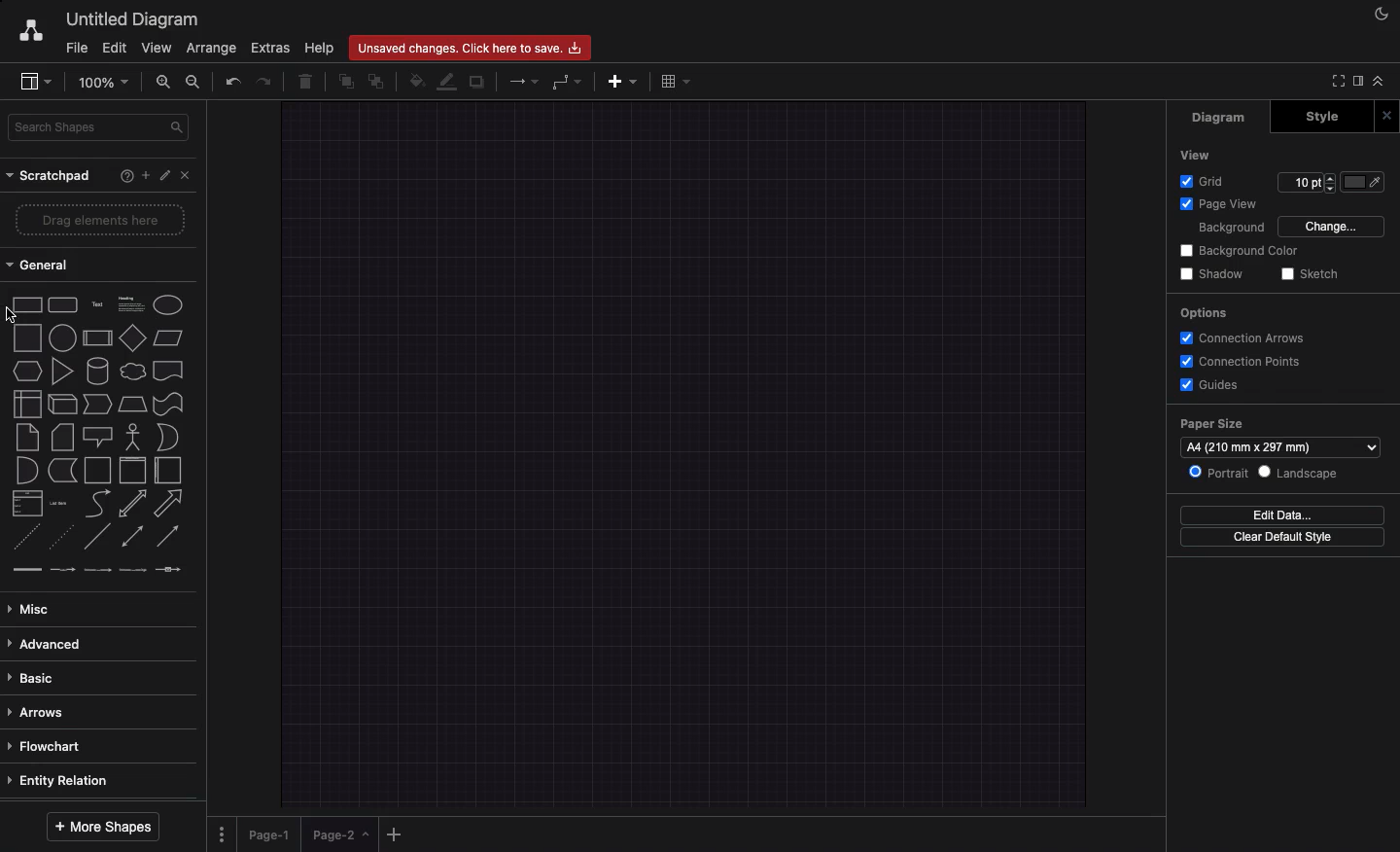  Describe the element at coordinates (1205, 180) in the screenshot. I see `Grid` at that location.